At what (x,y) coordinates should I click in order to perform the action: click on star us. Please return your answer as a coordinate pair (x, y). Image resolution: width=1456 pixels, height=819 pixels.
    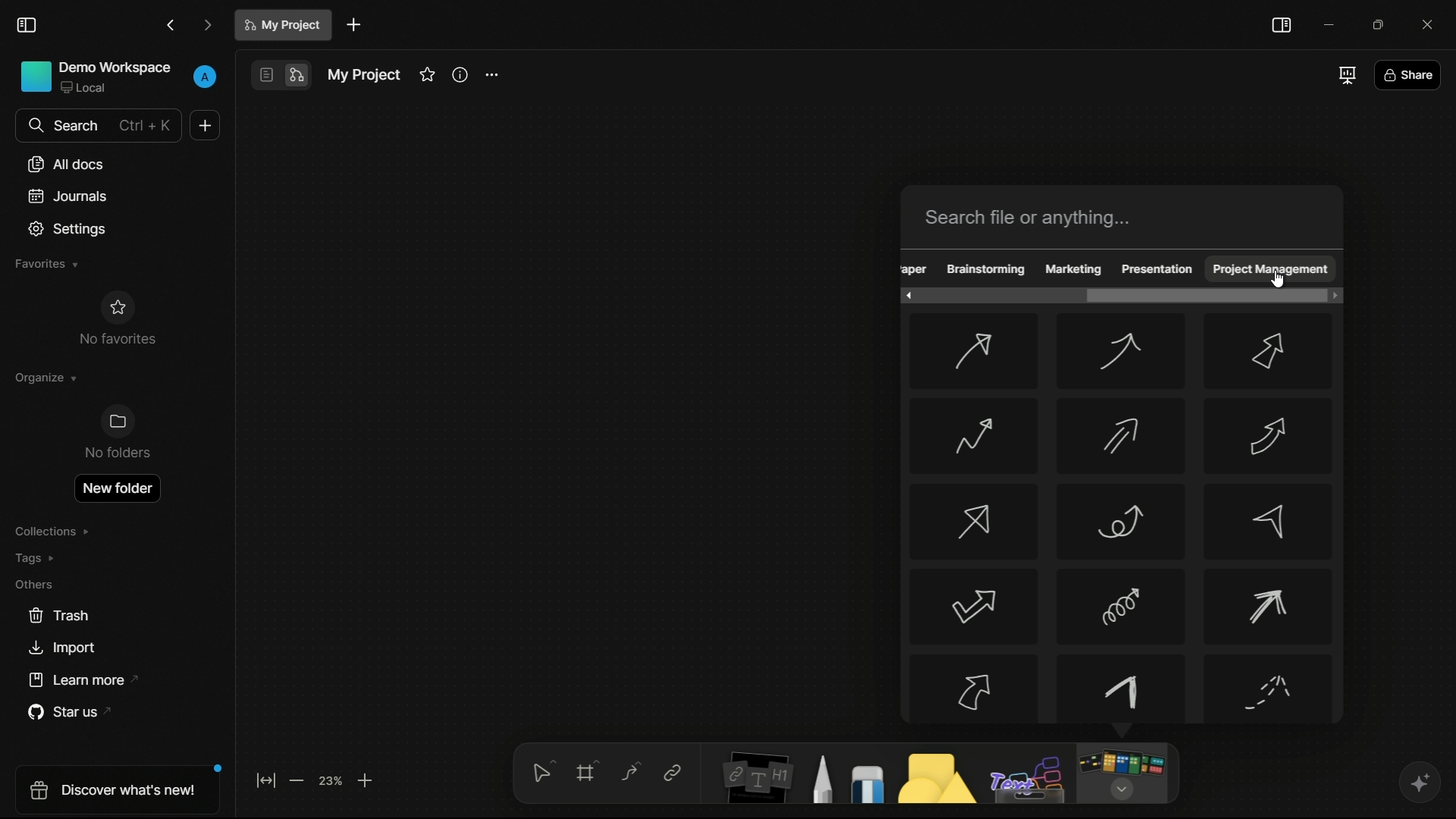
    Looking at the image, I should click on (74, 713).